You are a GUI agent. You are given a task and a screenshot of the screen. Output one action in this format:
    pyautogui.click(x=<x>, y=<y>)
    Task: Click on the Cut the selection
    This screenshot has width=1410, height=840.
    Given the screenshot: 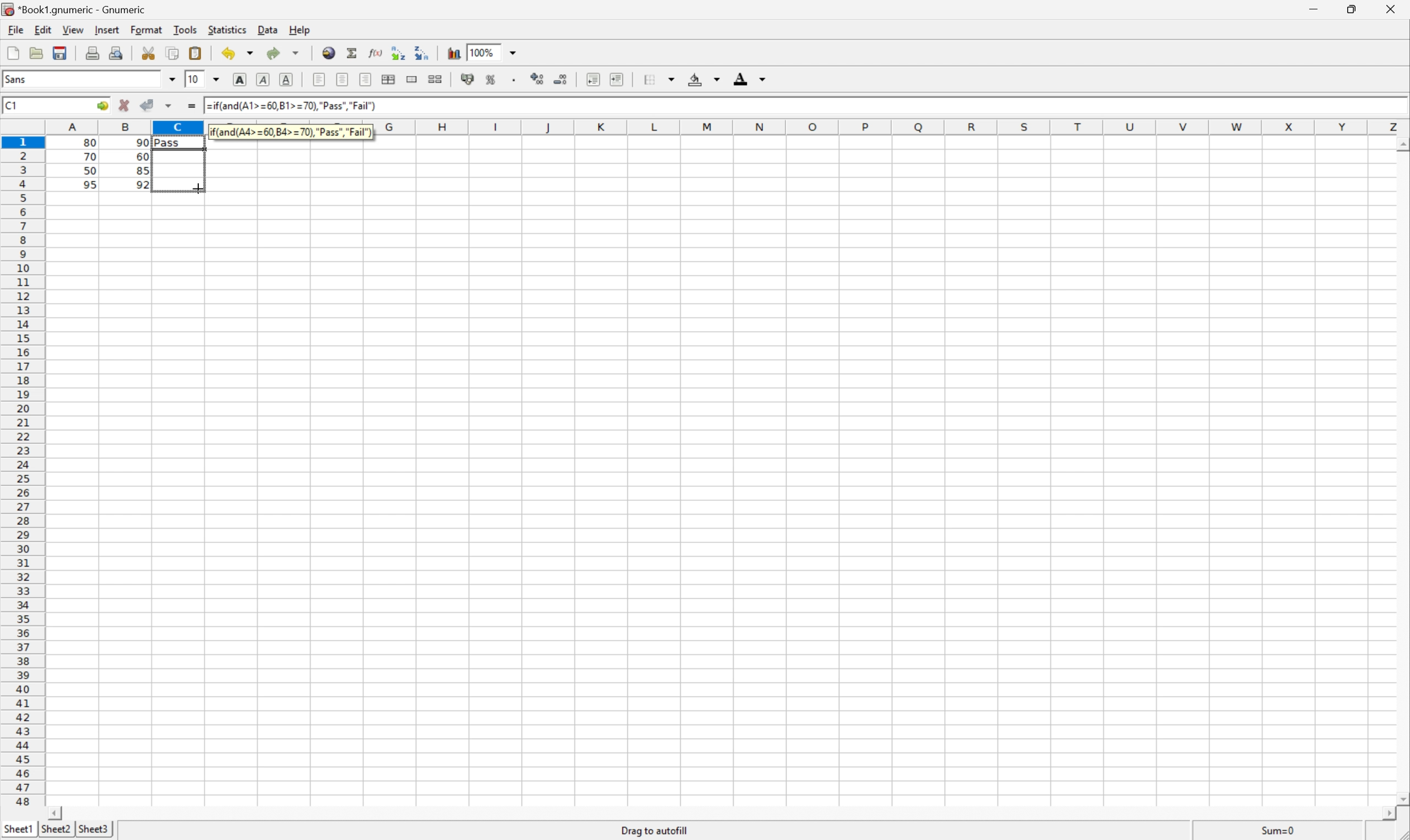 What is the action you would take?
    pyautogui.click(x=149, y=52)
    